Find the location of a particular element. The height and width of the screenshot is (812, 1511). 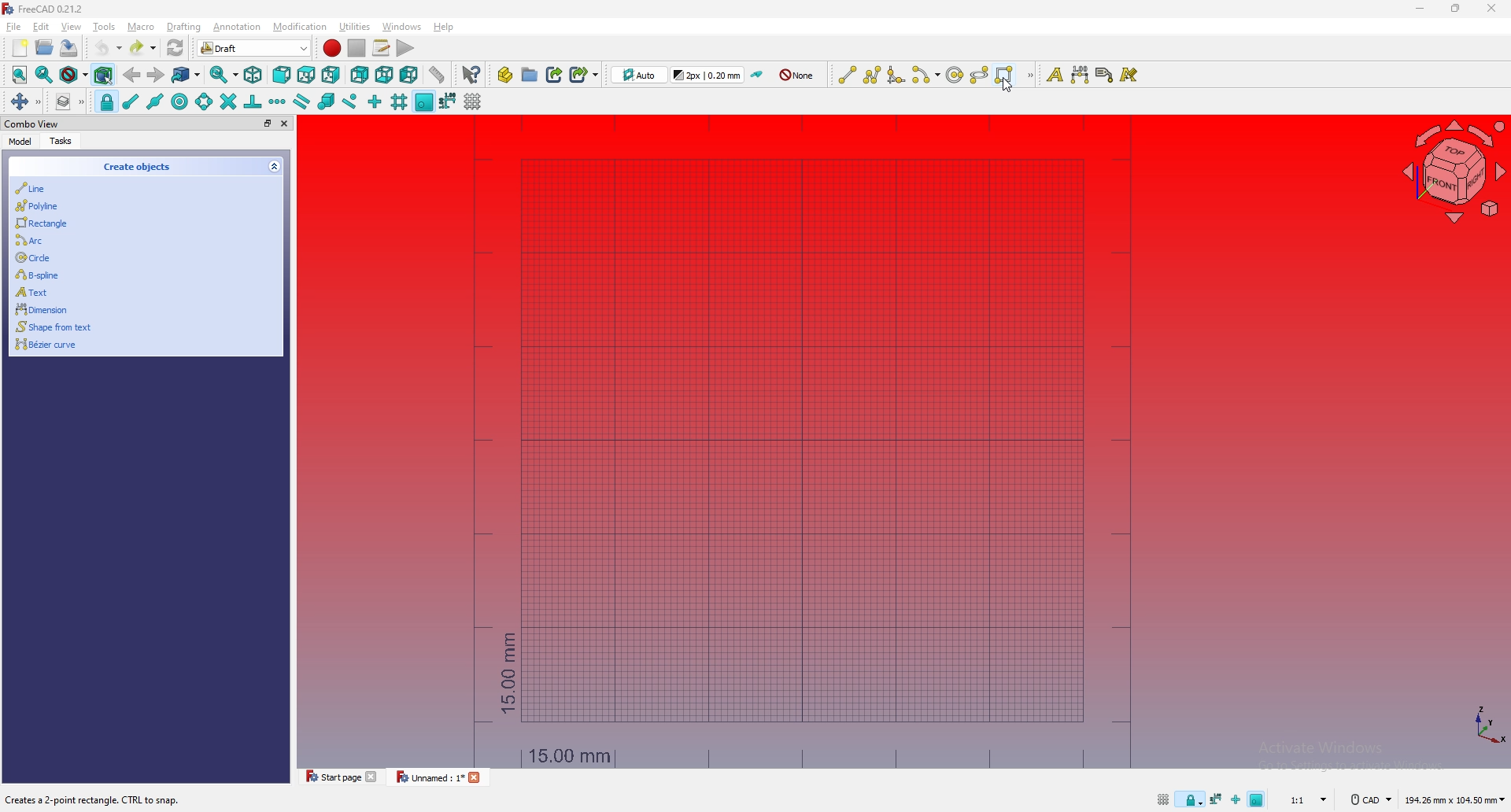

top is located at coordinates (306, 75).